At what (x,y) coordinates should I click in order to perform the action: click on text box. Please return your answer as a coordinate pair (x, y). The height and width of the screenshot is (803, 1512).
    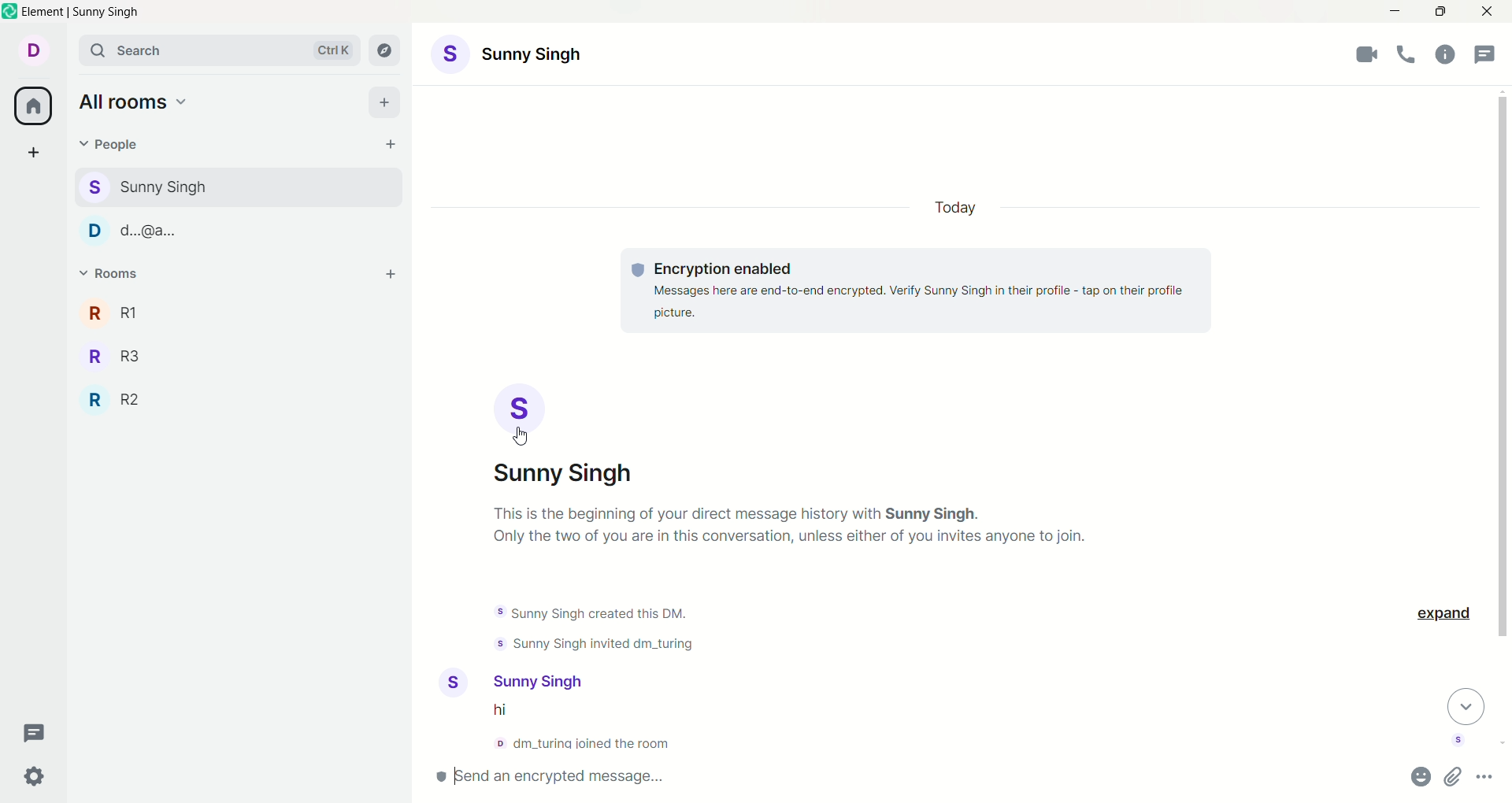
    Looking at the image, I should click on (613, 778).